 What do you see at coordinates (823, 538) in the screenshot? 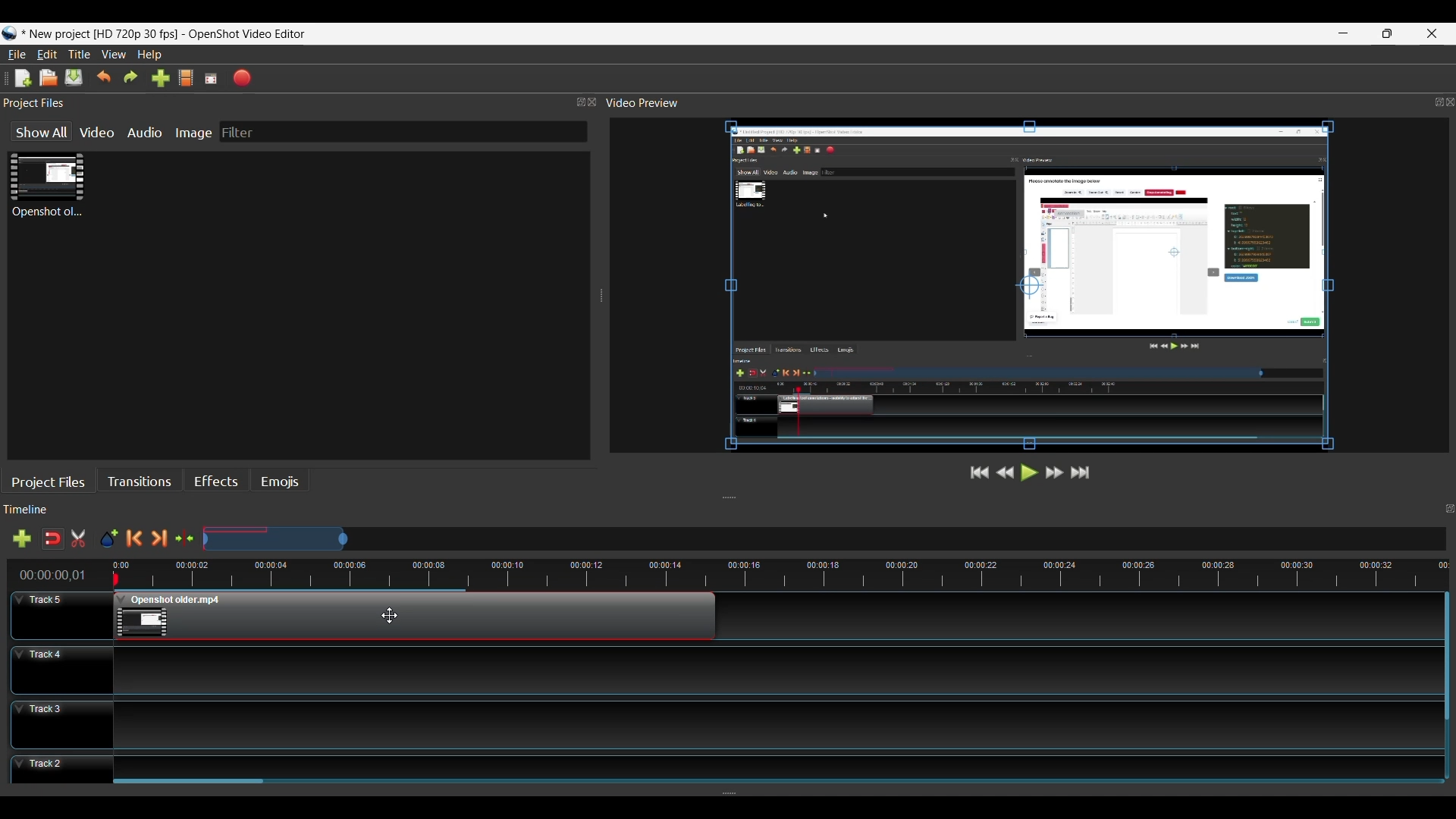
I see `Zoom Slide` at bounding box center [823, 538].